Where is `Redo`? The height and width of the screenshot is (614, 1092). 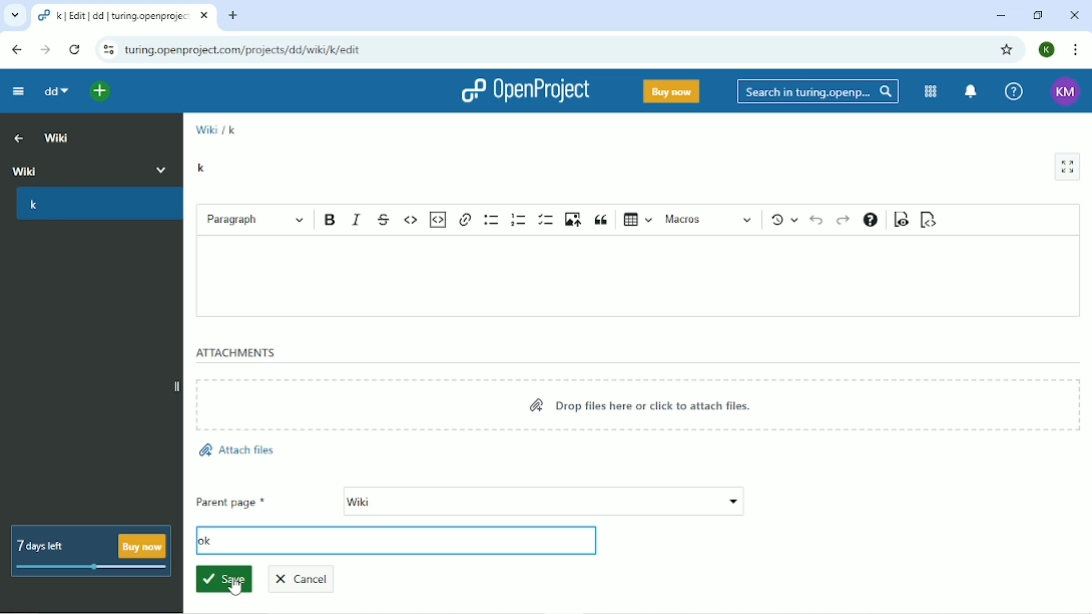
Redo is located at coordinates (842, 220).